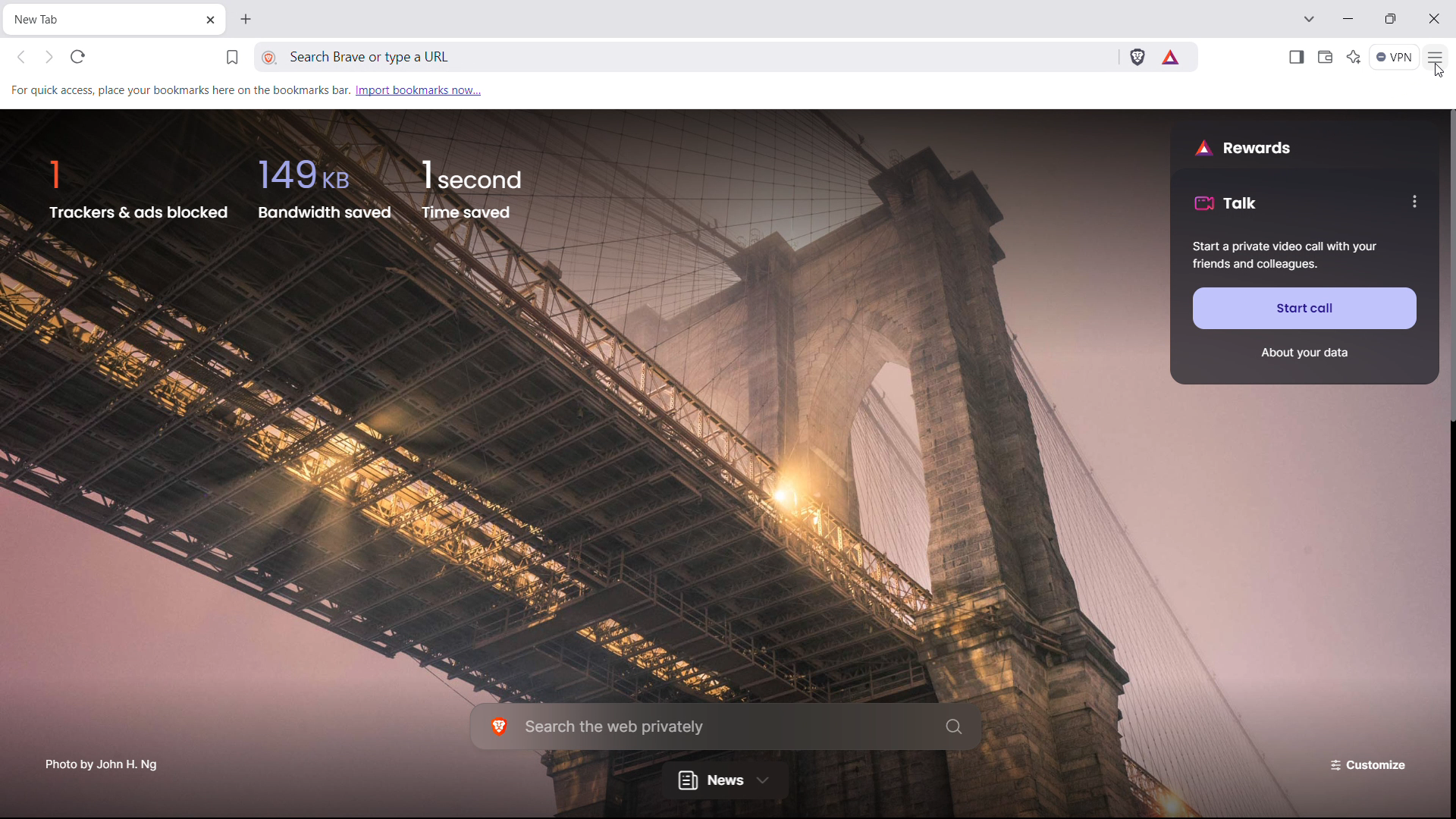 The width and height of the screenshot is (1456, 819). I want to click on customize the page, so click(1360, 767).